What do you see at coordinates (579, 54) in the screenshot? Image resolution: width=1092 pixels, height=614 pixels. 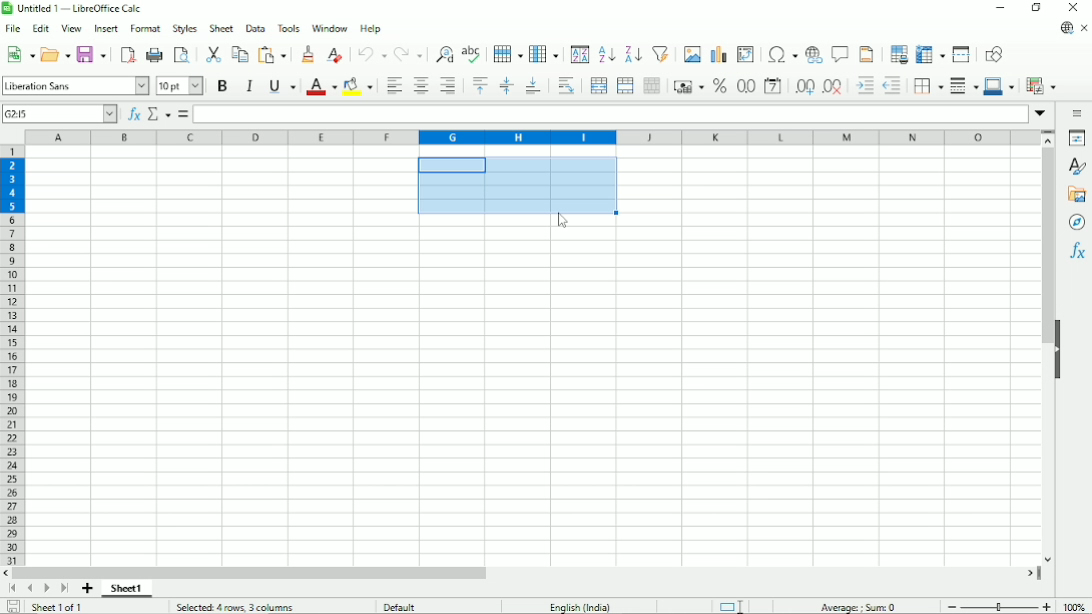 I see `Sort` at bounding box center [579, 54].